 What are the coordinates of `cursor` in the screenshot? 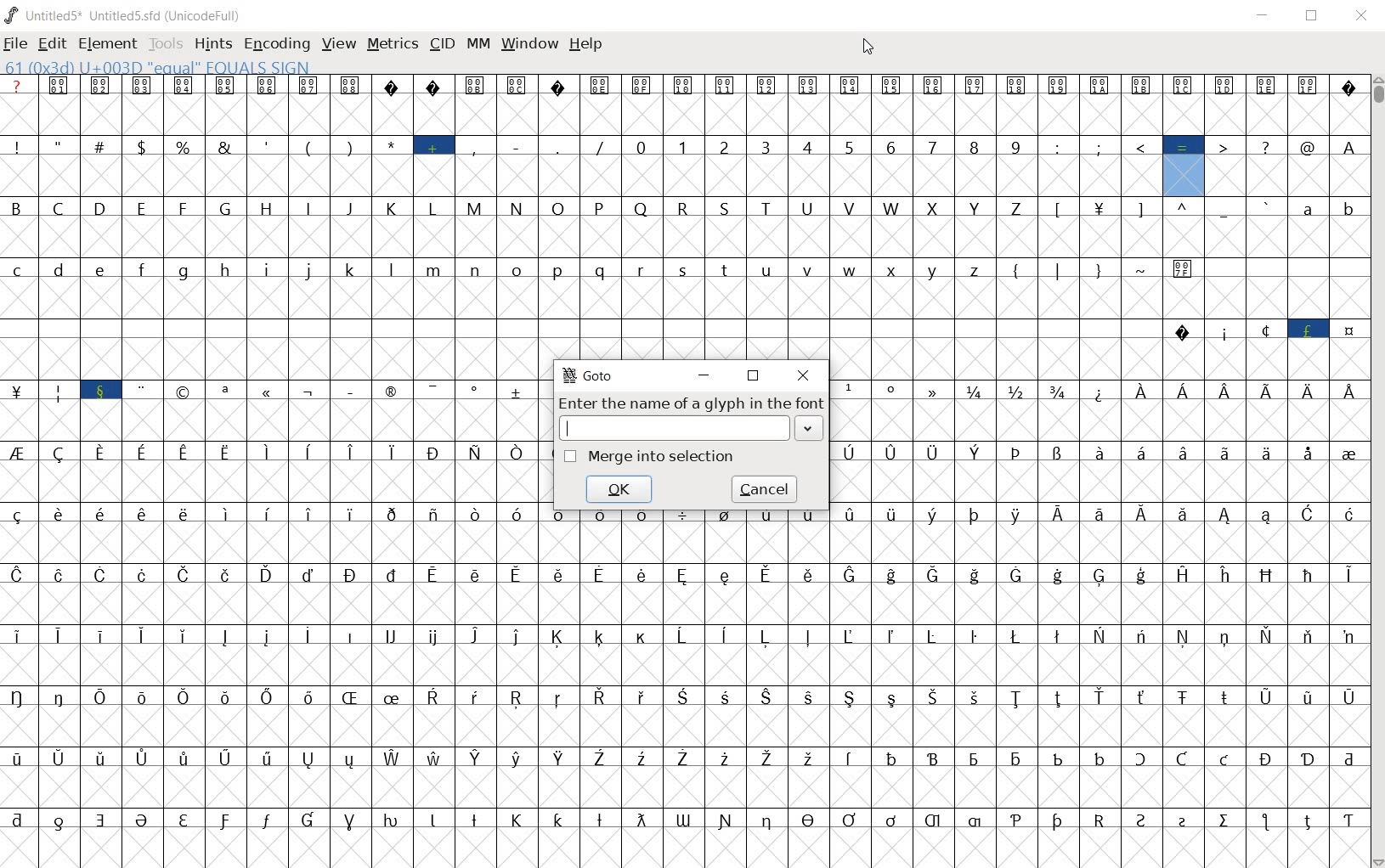 It's located at (869, 47).